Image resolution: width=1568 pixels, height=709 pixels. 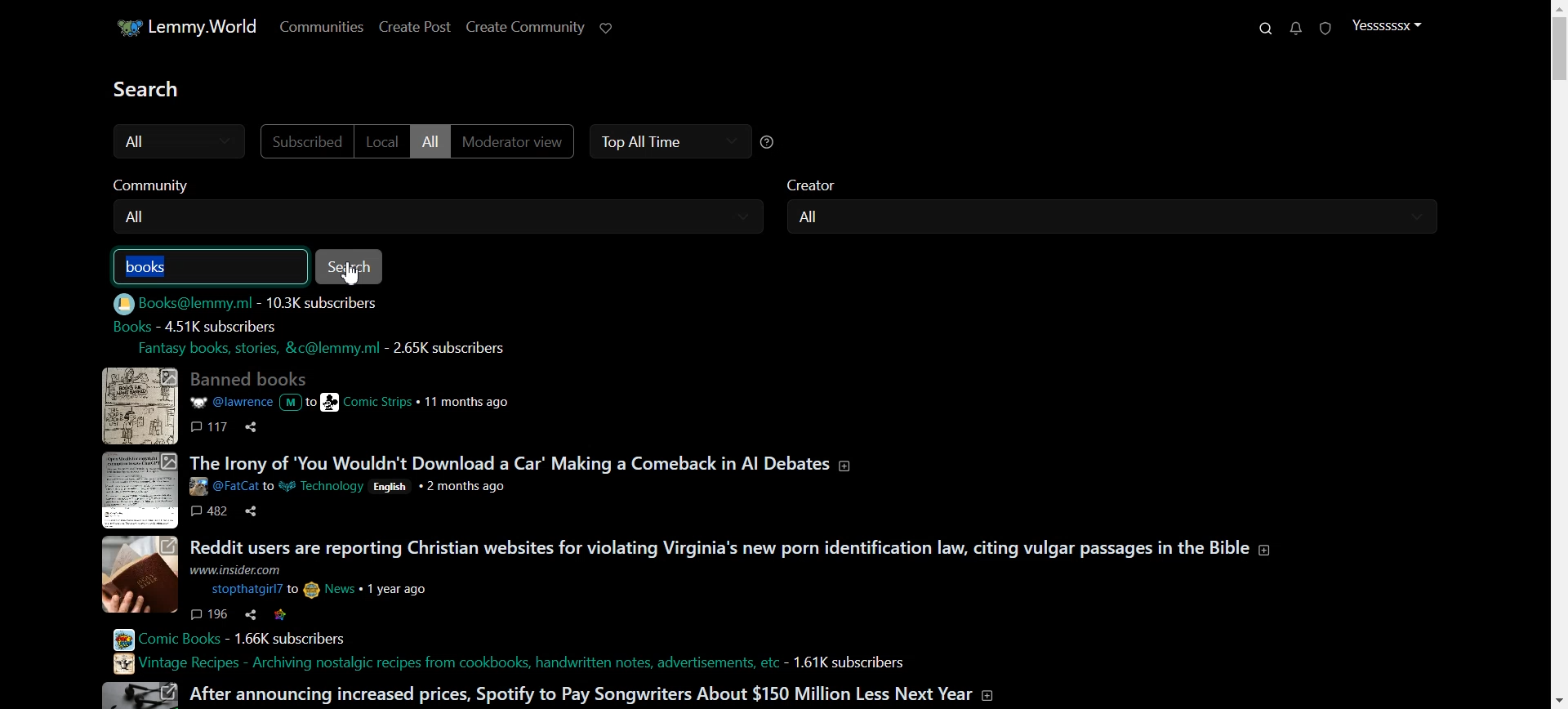 What do you see at coordinates (254, 425) in the screenshot?
I see `share` at bounding box center [254, 425].